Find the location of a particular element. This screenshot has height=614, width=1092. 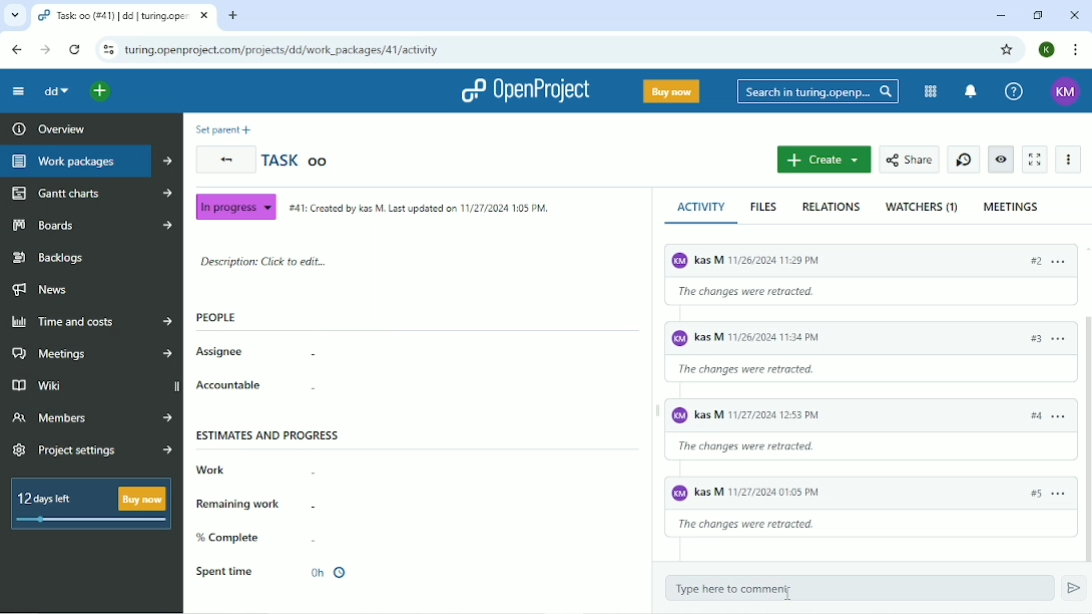

Watchers (1) is located at coordinates (921, 208).